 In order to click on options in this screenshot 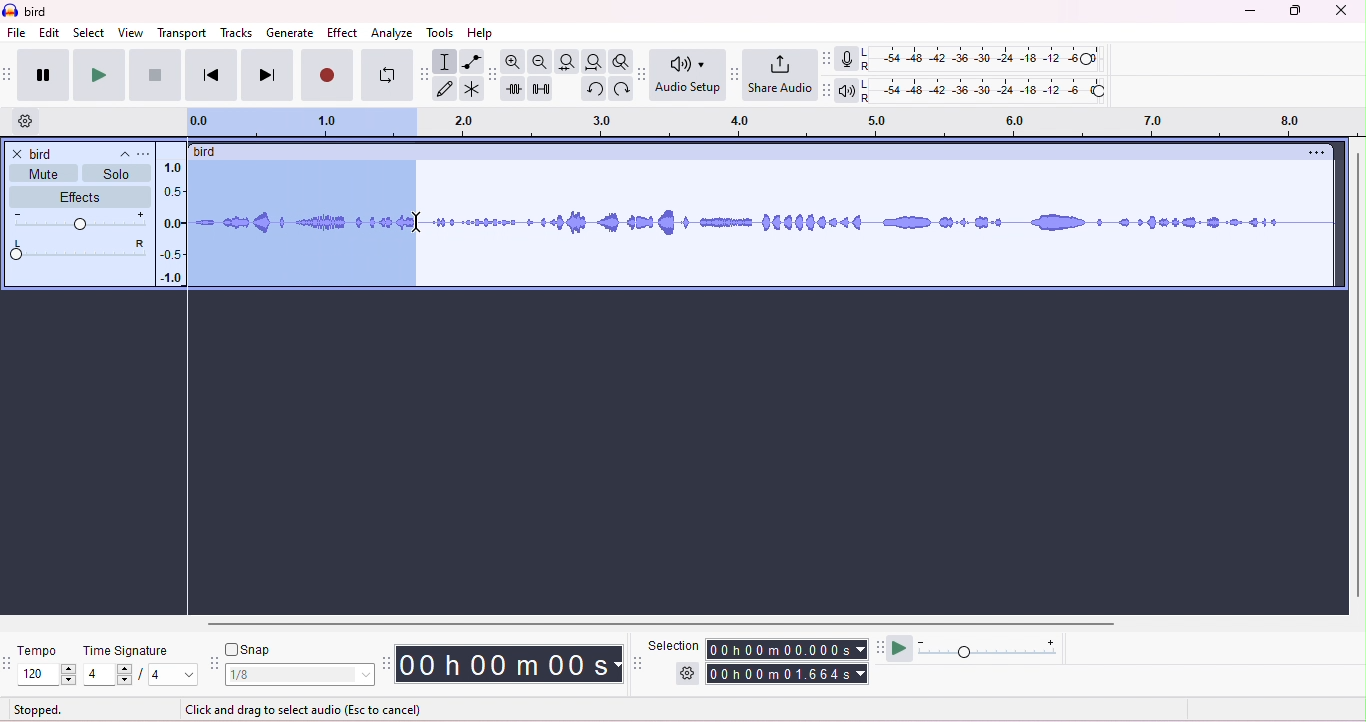, I will do `click(1313, 154)`.